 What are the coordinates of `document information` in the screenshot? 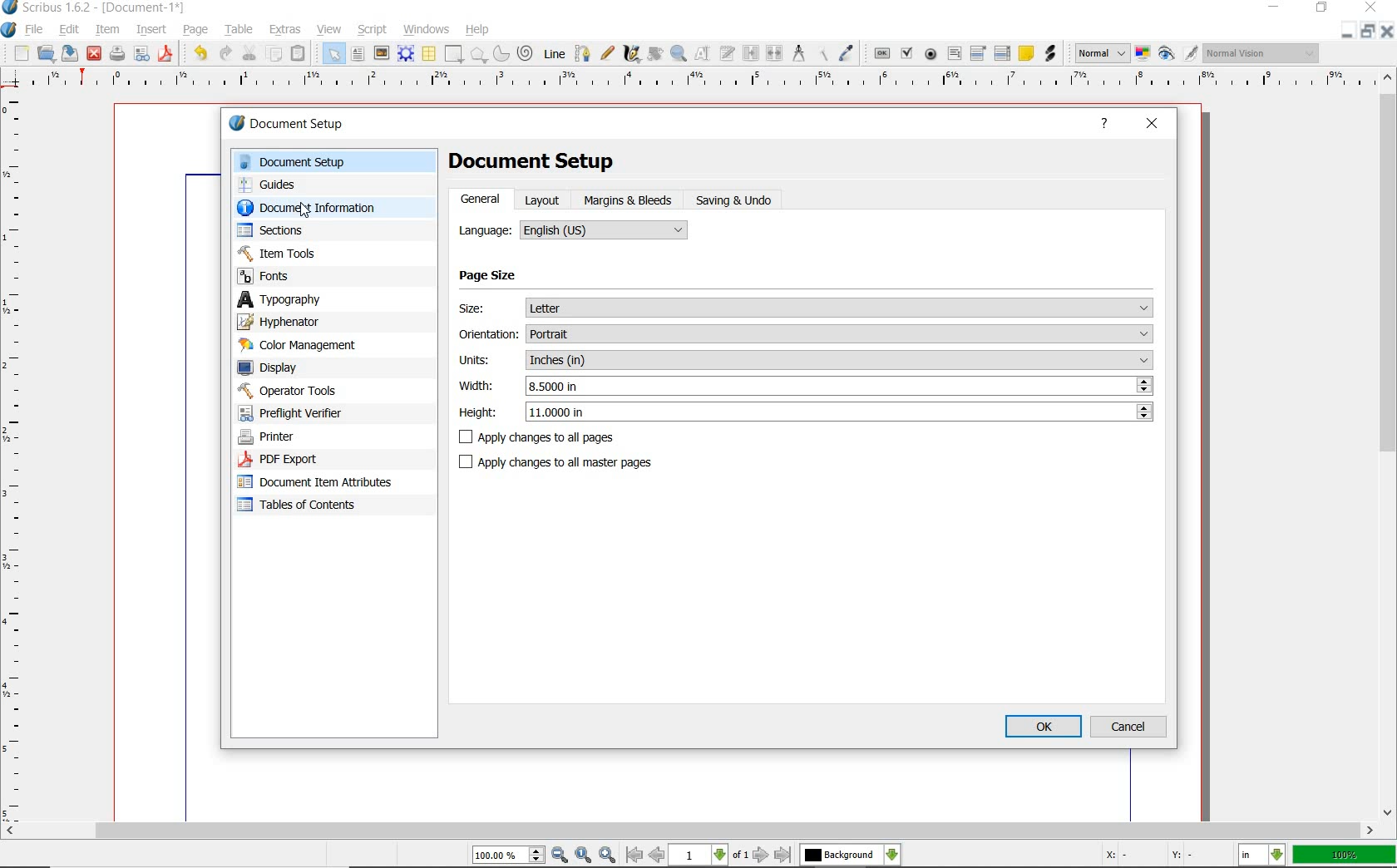 It's located at (323, 207).